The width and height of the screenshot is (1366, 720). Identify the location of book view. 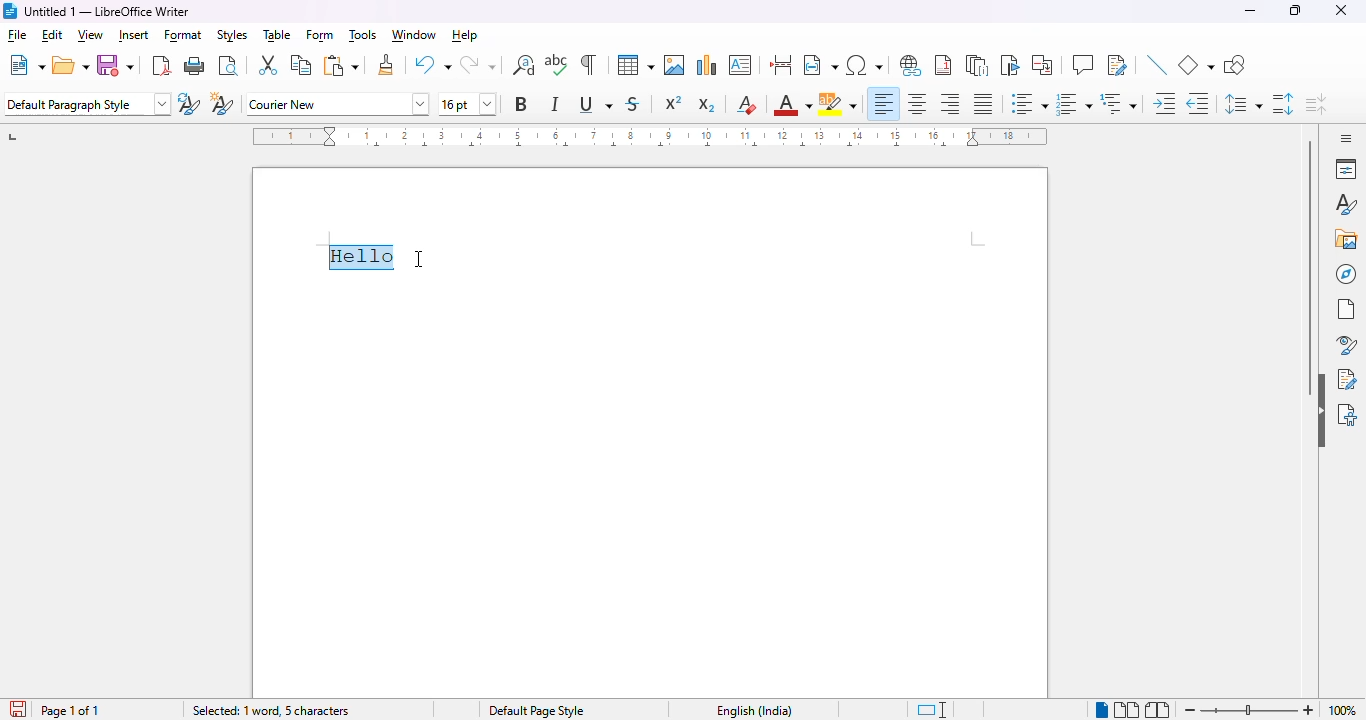
(1159, 709).